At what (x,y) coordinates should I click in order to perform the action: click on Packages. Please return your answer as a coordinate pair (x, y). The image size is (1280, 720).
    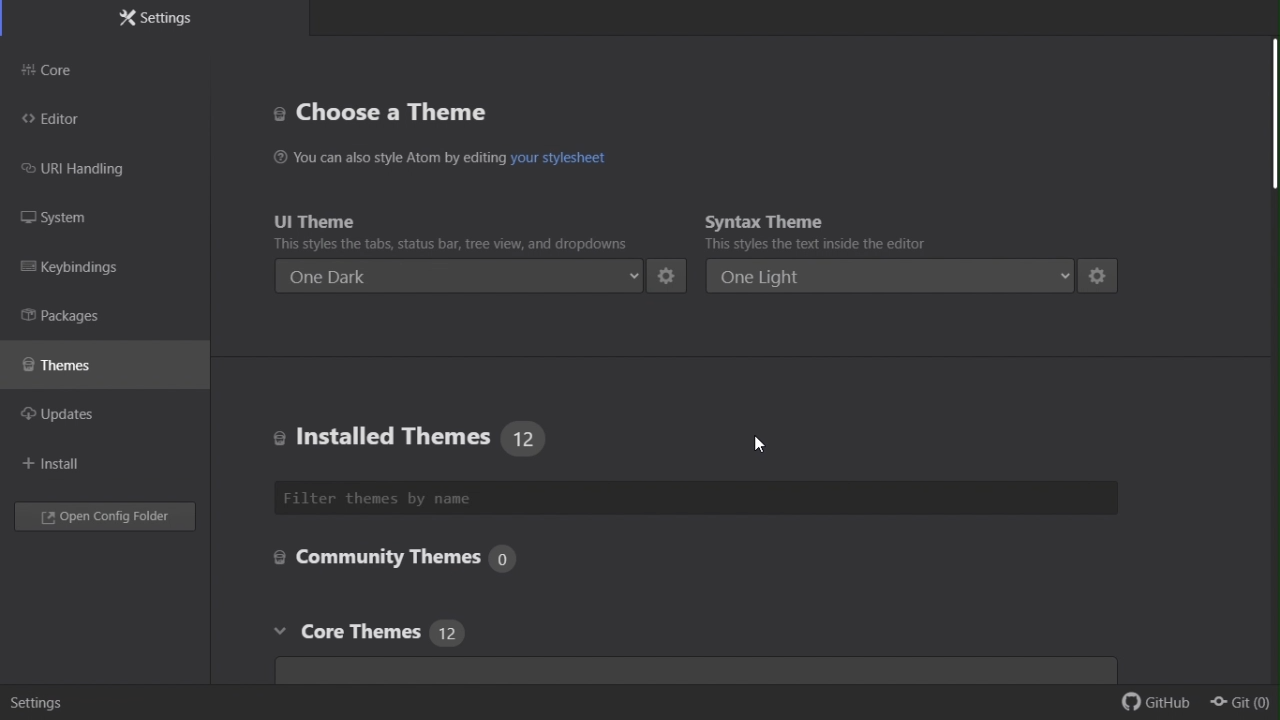
    Looking at the image, I should click on (76, 318).